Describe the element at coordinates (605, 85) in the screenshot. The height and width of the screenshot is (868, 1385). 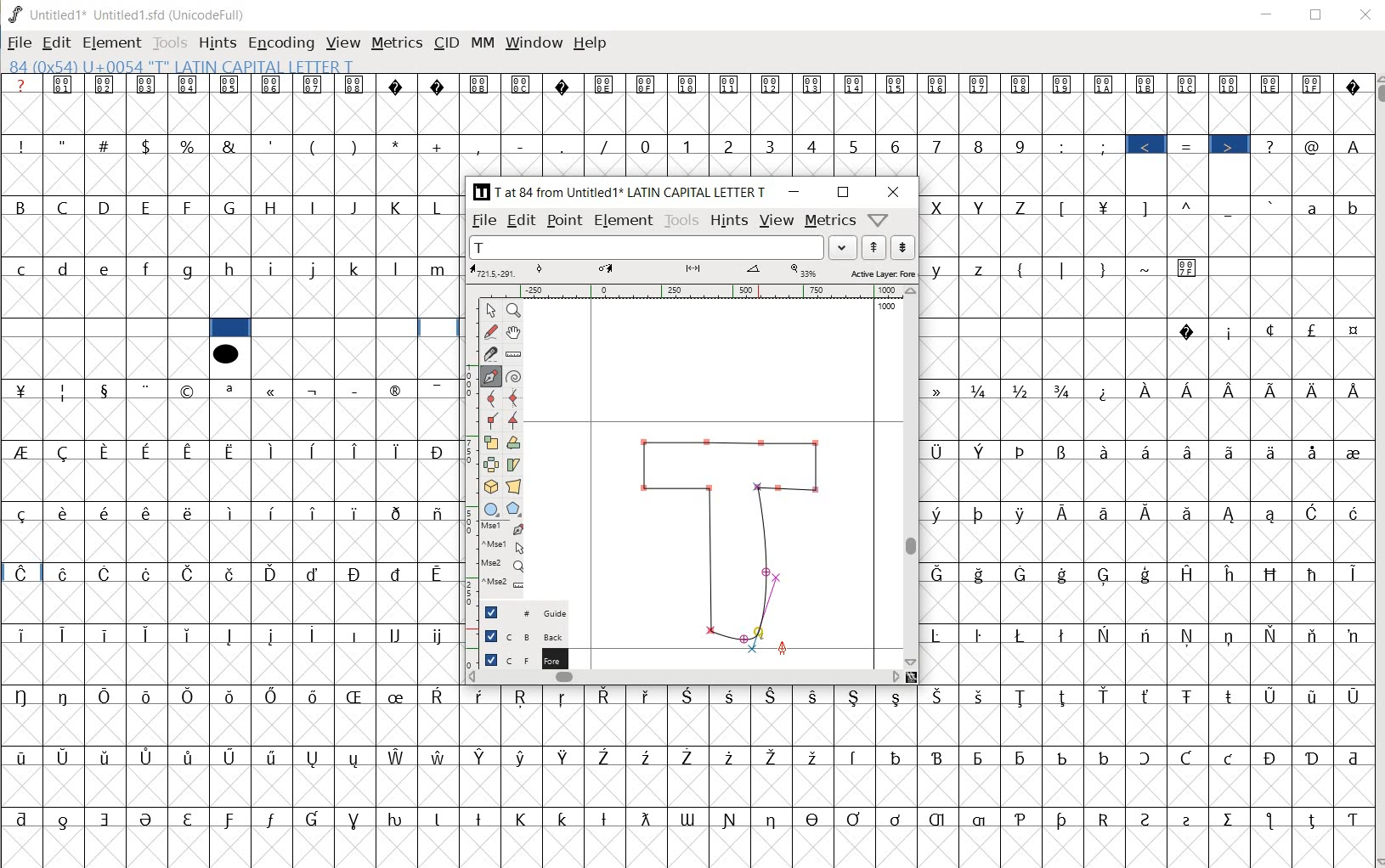
I see `Symbol` at that location.